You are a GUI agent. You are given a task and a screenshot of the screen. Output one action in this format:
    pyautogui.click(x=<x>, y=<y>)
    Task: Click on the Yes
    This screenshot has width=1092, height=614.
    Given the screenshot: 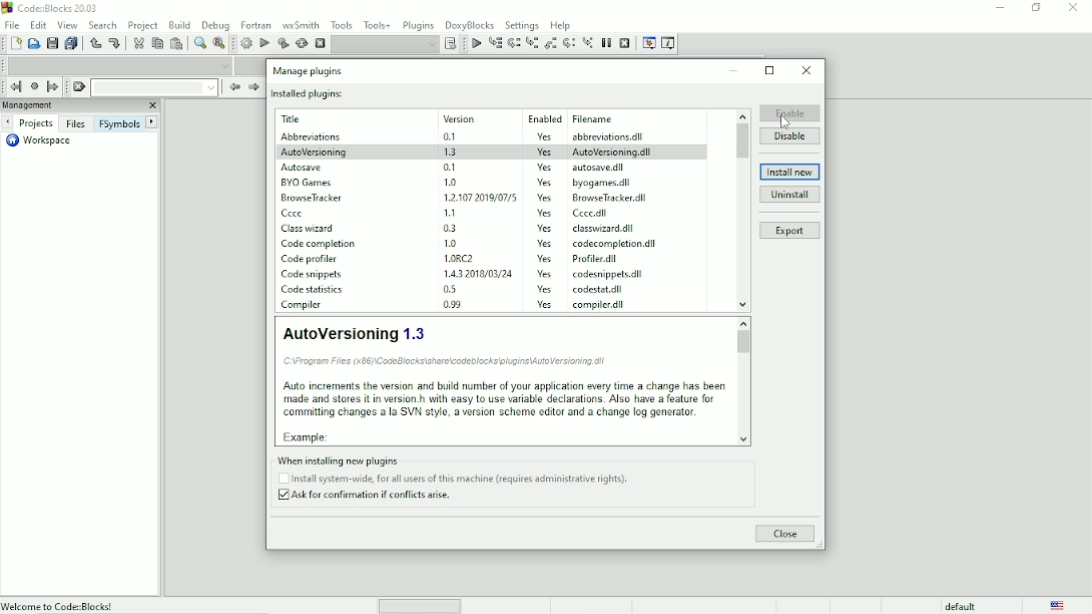 What is the action you would take?
    pyautogui.click(x=545, y=274)
    